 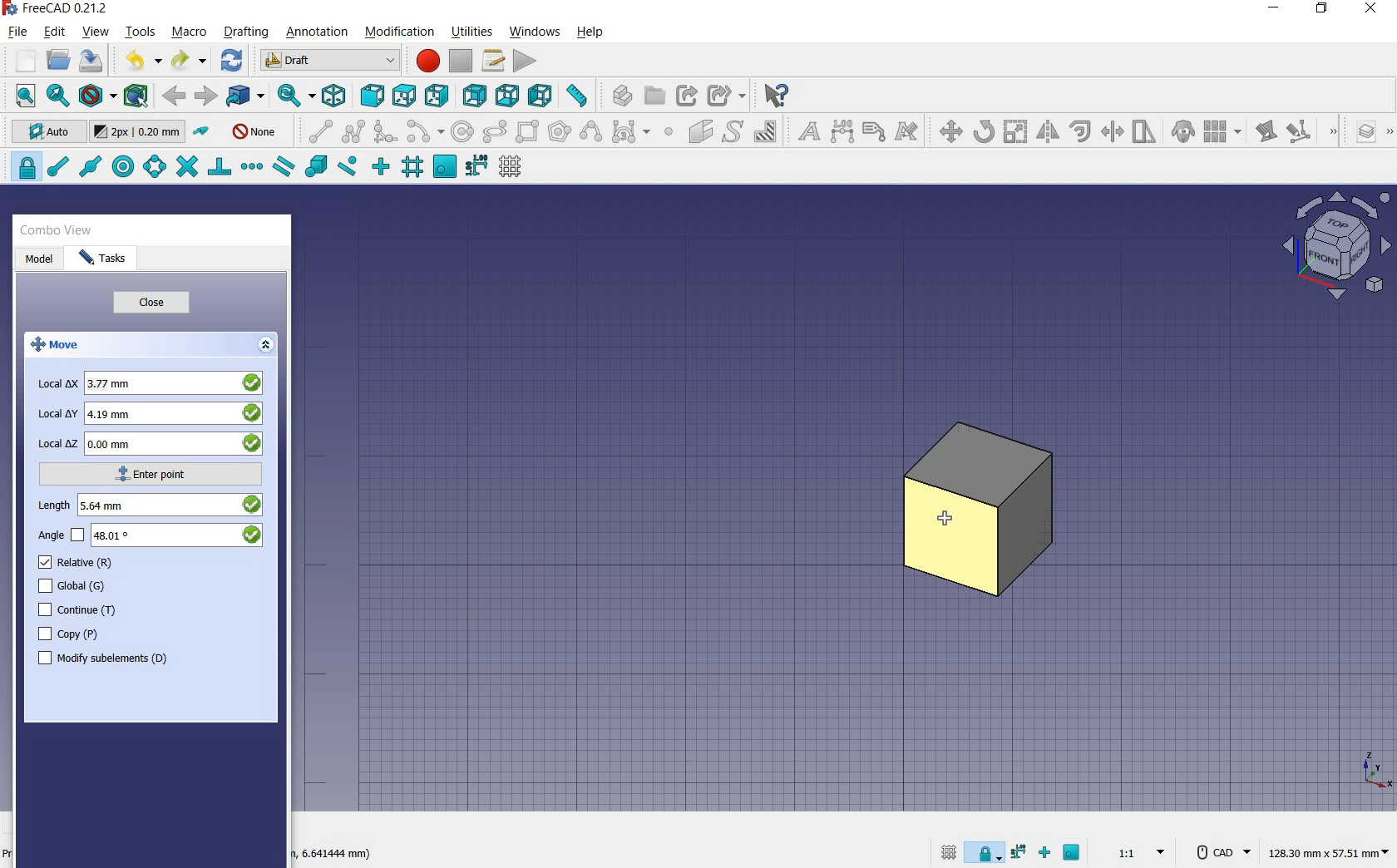 I want to click on stop macro recording, so click(x=458, y=62).